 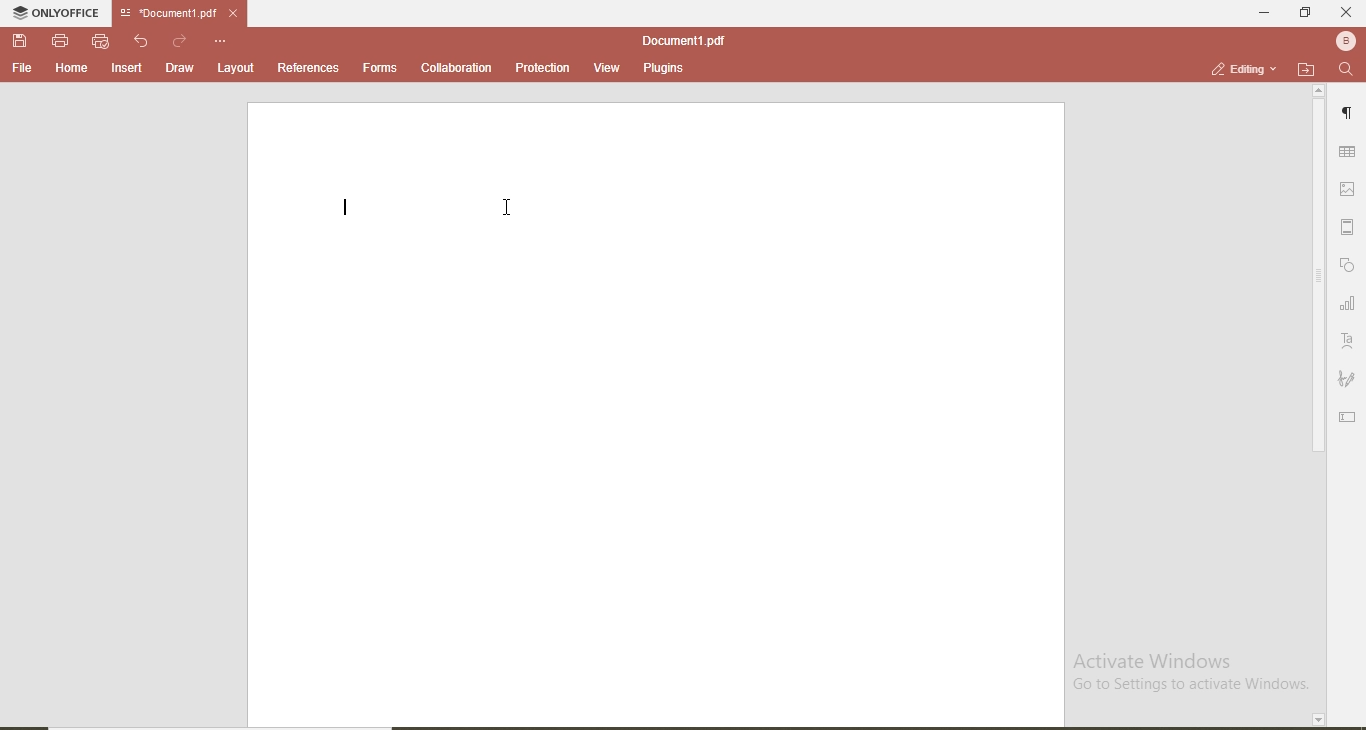 What do you see at coordinates (1195, 671) in the screenshot?
I see `Activate windows` at bounding box center [1195, 671].